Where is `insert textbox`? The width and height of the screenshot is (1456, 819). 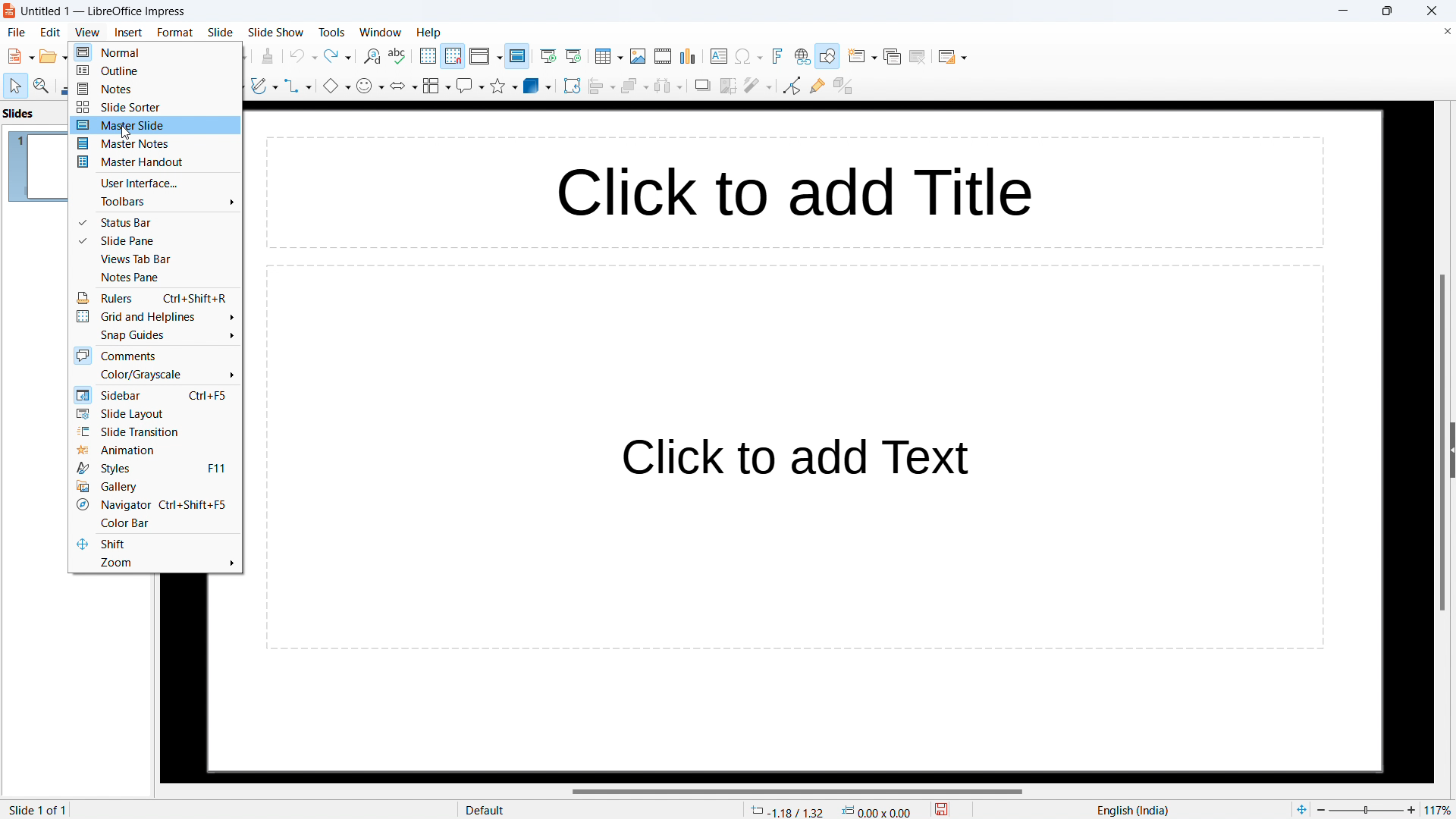
insert textbox is located at coordinates (720, 56).